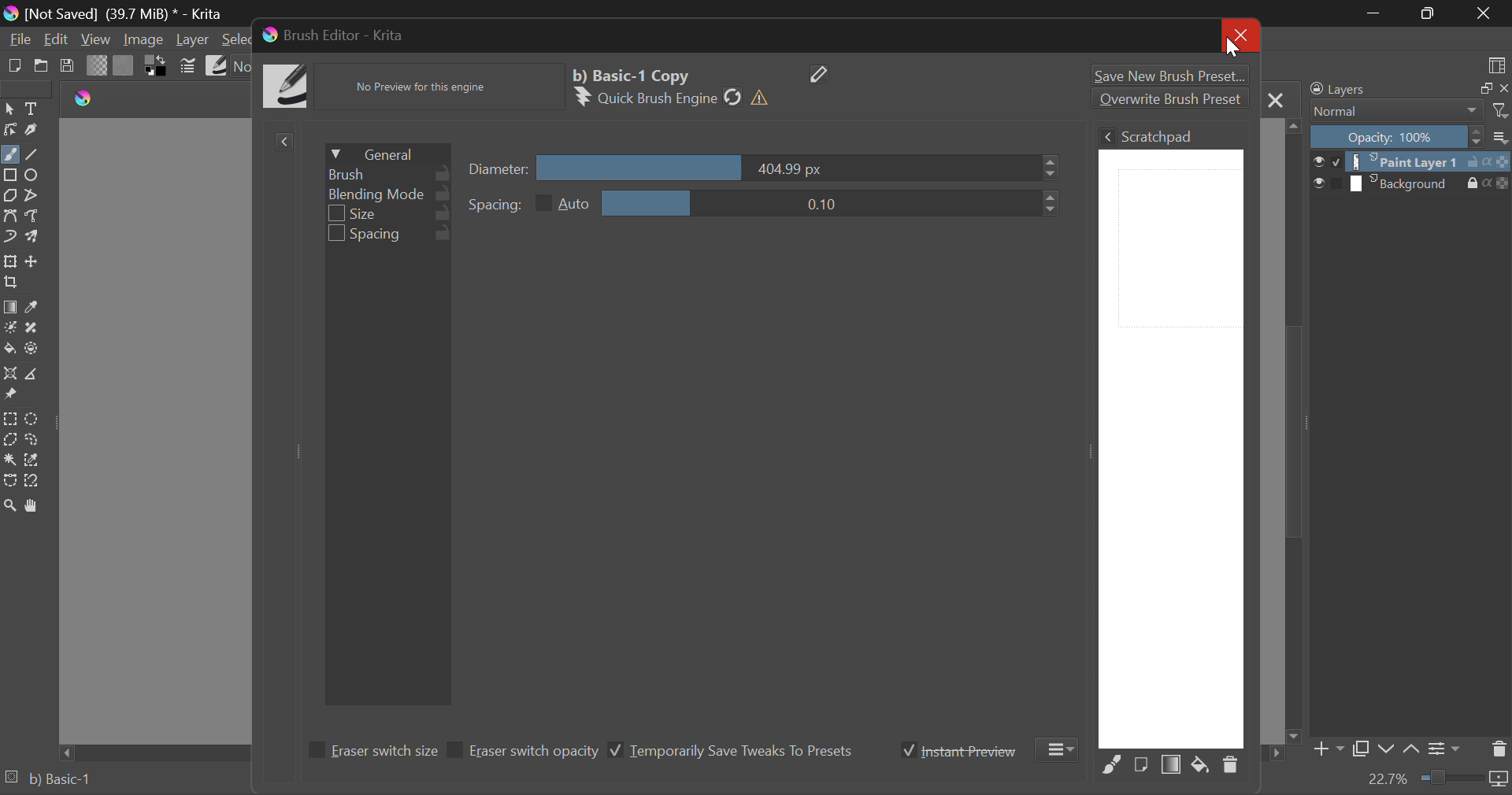  Describe the element at coordinates (9, 505) in the screenshot. I see `Zoom` at that location.